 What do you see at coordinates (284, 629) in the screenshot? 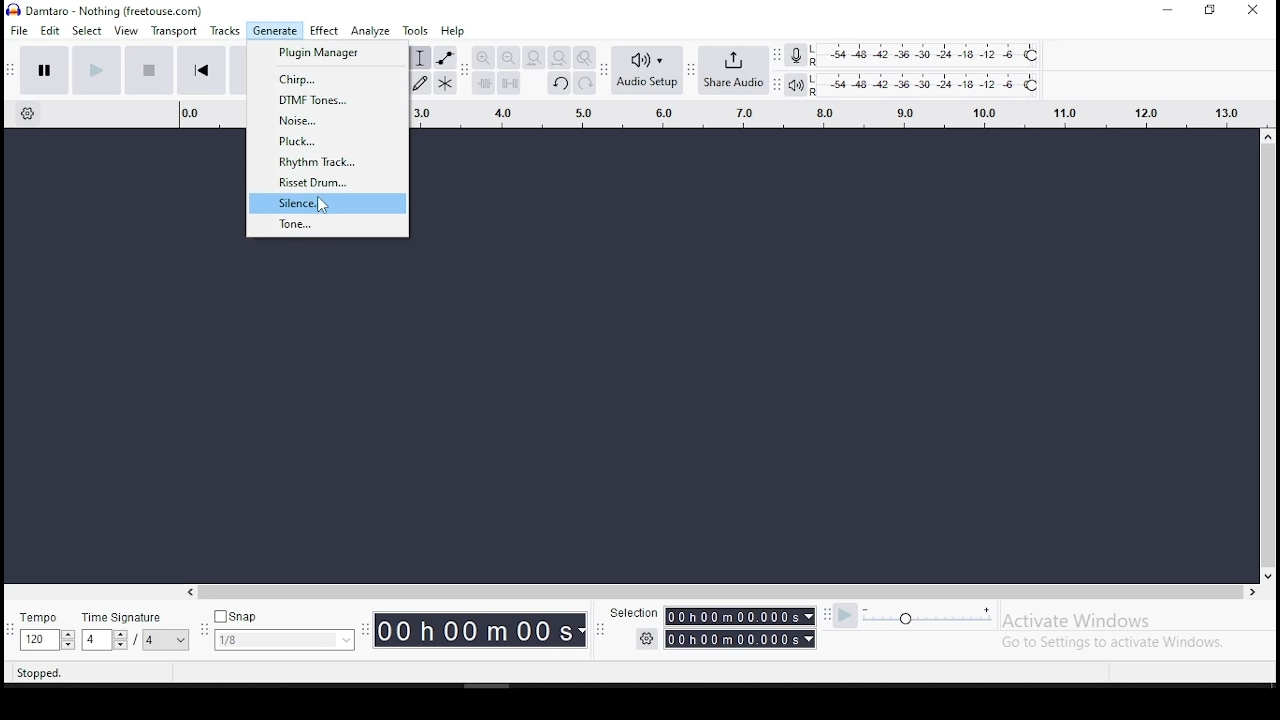
I see `snap` at bounding box center [284, 629].